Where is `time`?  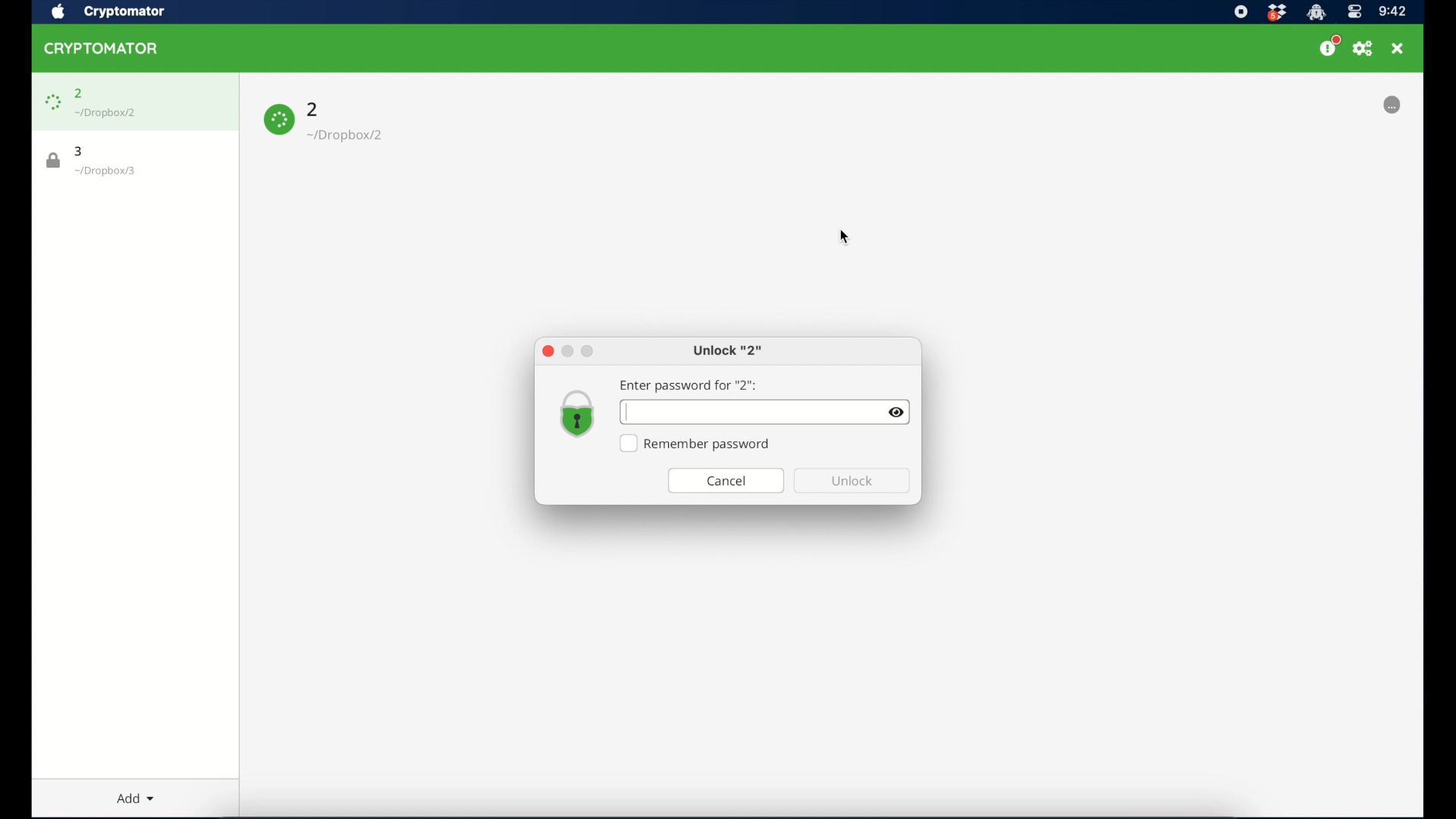 time is located at coordinates (1392, 12).